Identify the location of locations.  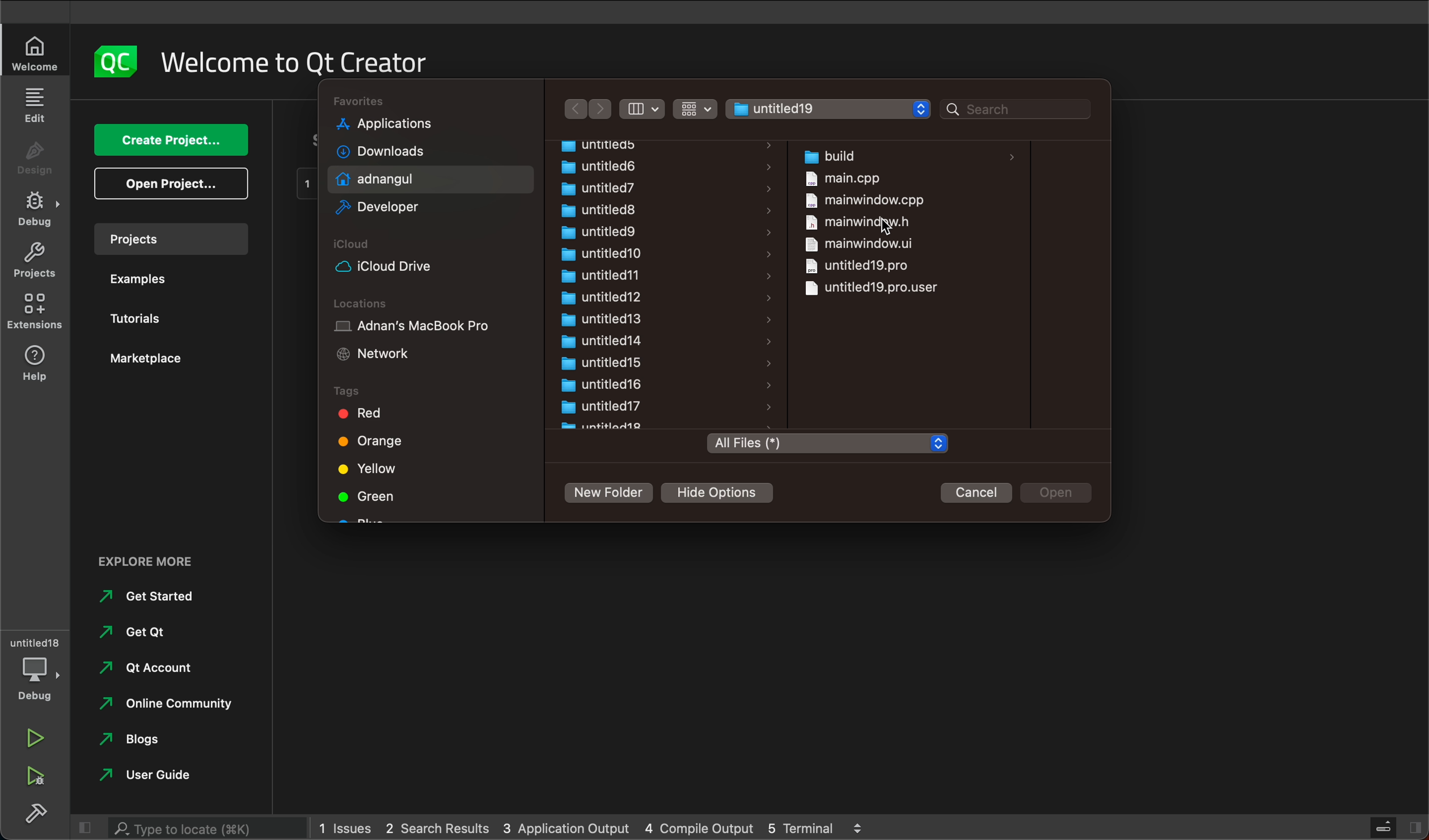
(425, 304).